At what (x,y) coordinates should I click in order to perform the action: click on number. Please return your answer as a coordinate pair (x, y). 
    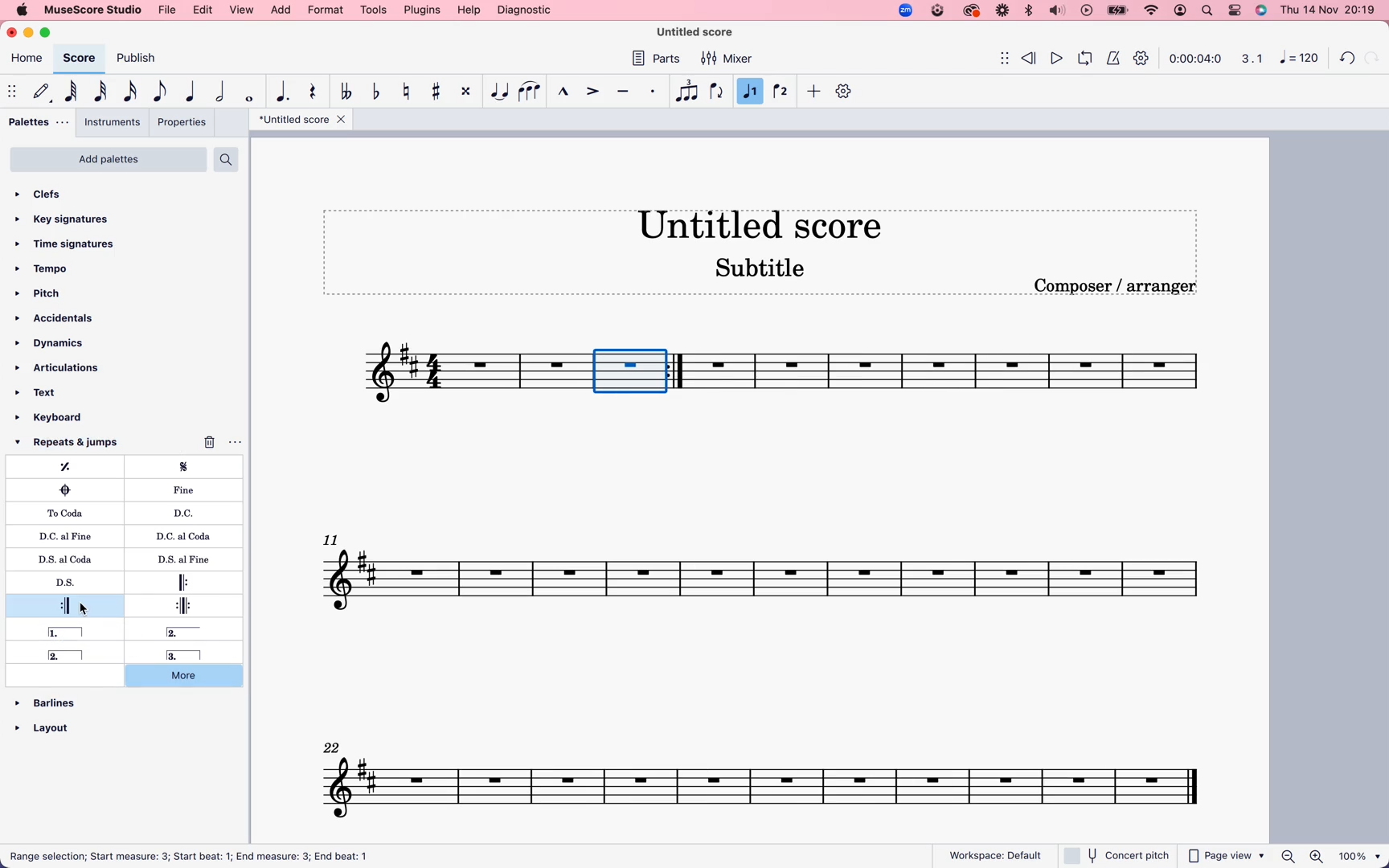
    Looking at the image, I should click on (1297, 59).